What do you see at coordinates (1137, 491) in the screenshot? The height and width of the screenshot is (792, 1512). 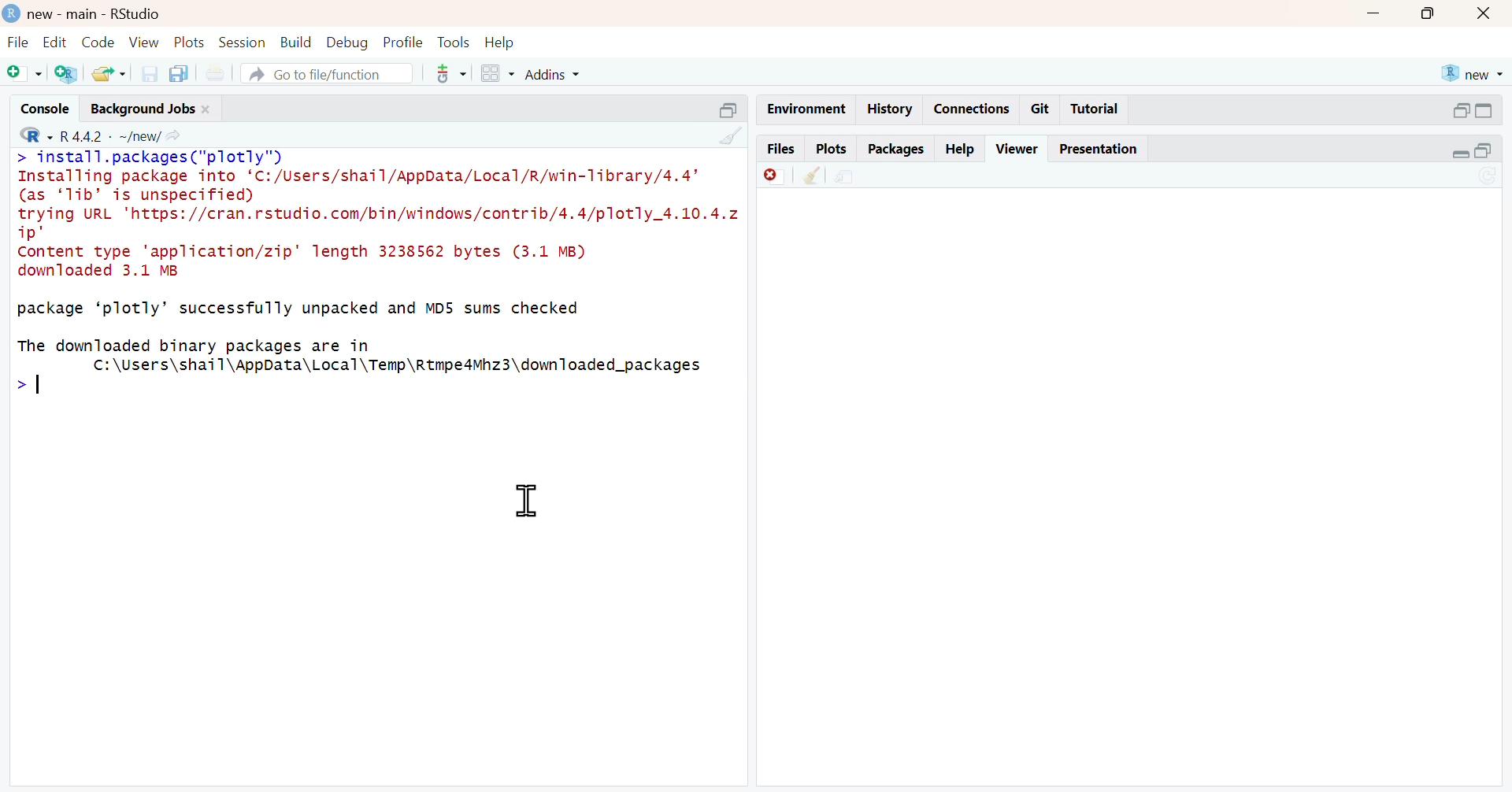 I see `empty area` at bounding box center [1137, 491].